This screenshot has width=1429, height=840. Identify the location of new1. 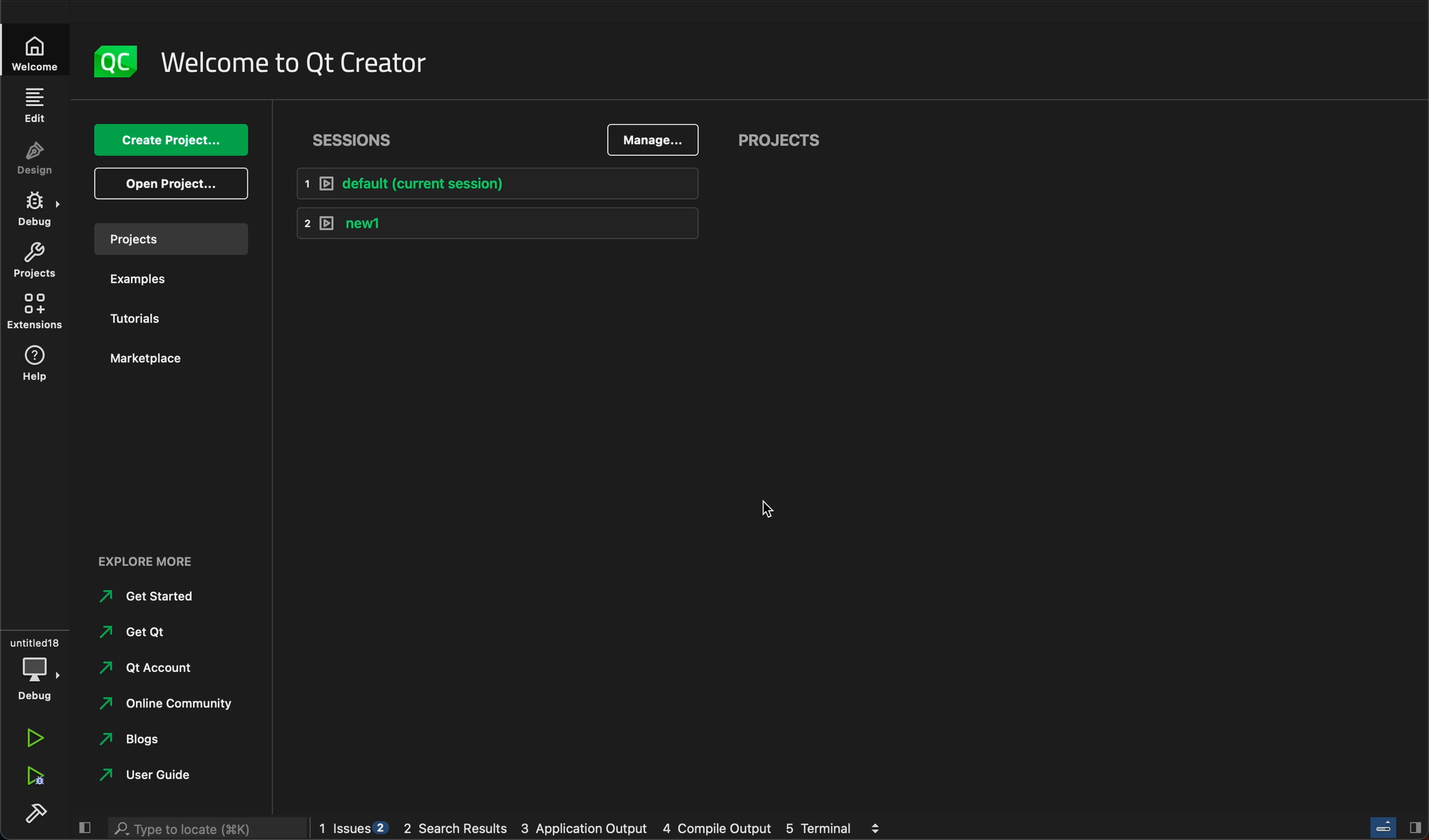
(492, 224).